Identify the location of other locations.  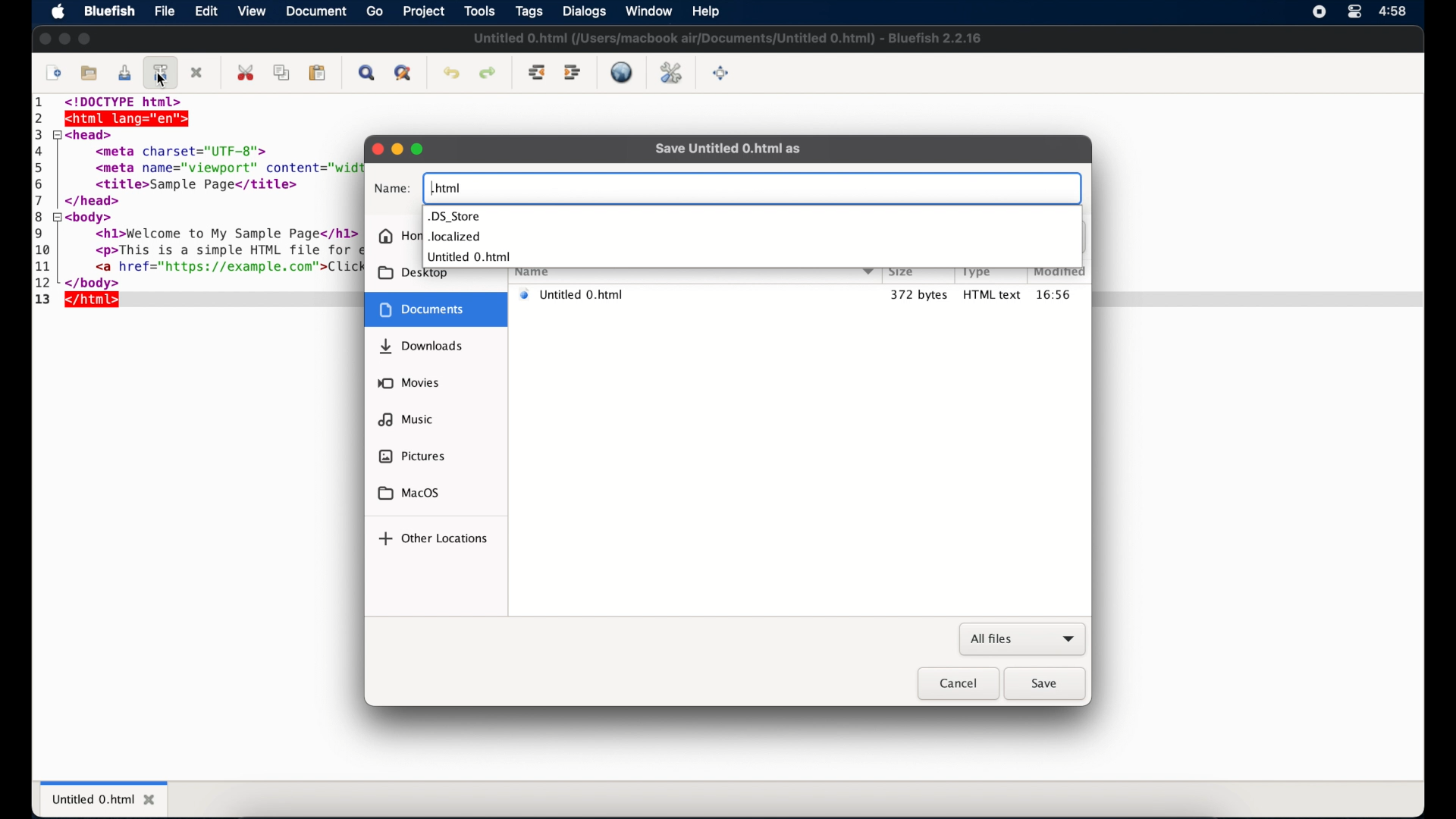
(432, 538).